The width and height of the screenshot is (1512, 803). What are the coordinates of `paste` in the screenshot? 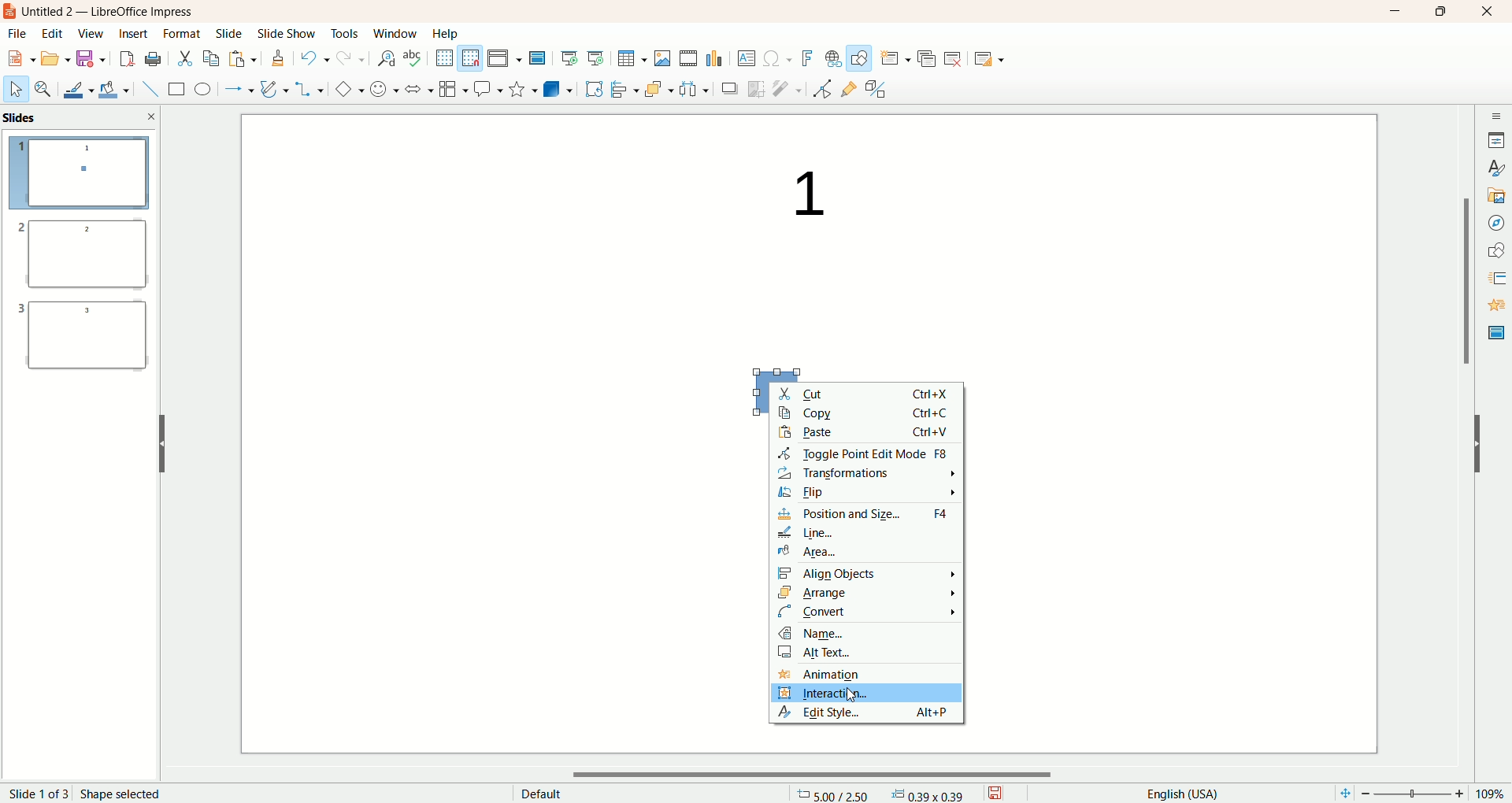 It's located at (814, 434).